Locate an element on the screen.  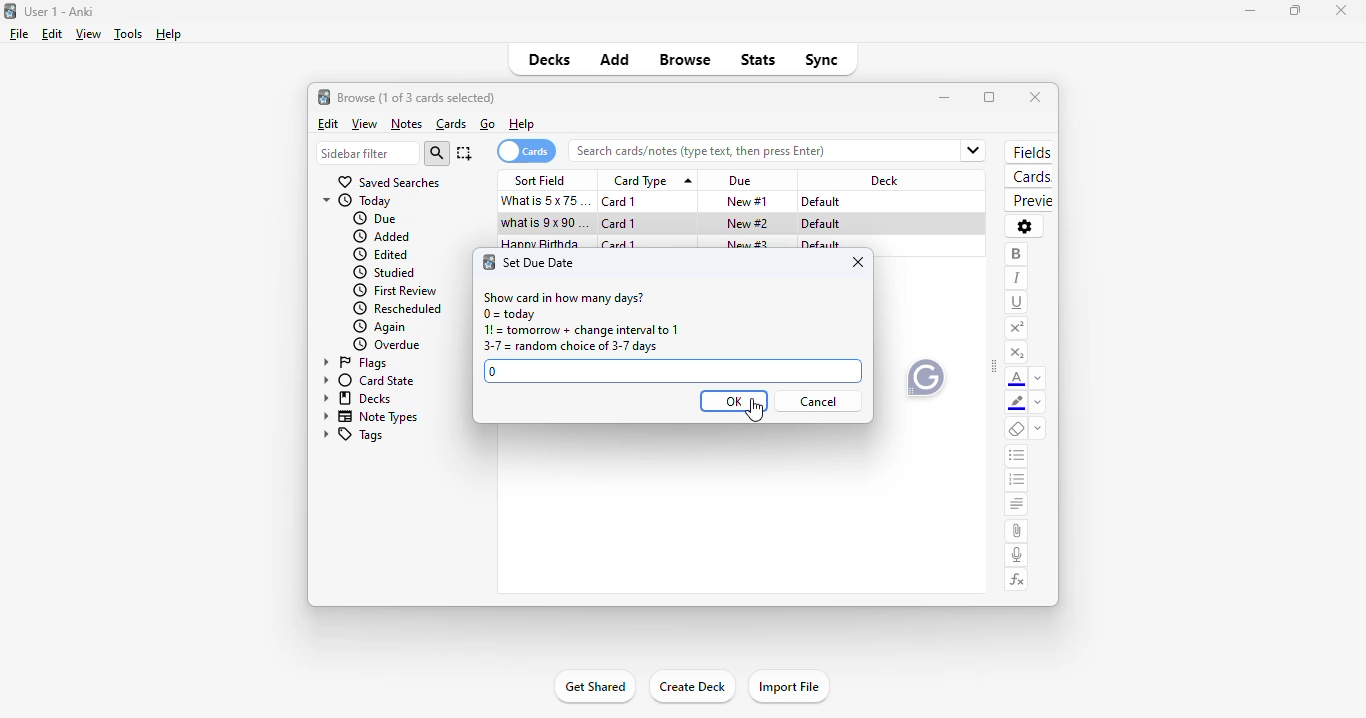
subscript is located at coordinates (1018, 355).